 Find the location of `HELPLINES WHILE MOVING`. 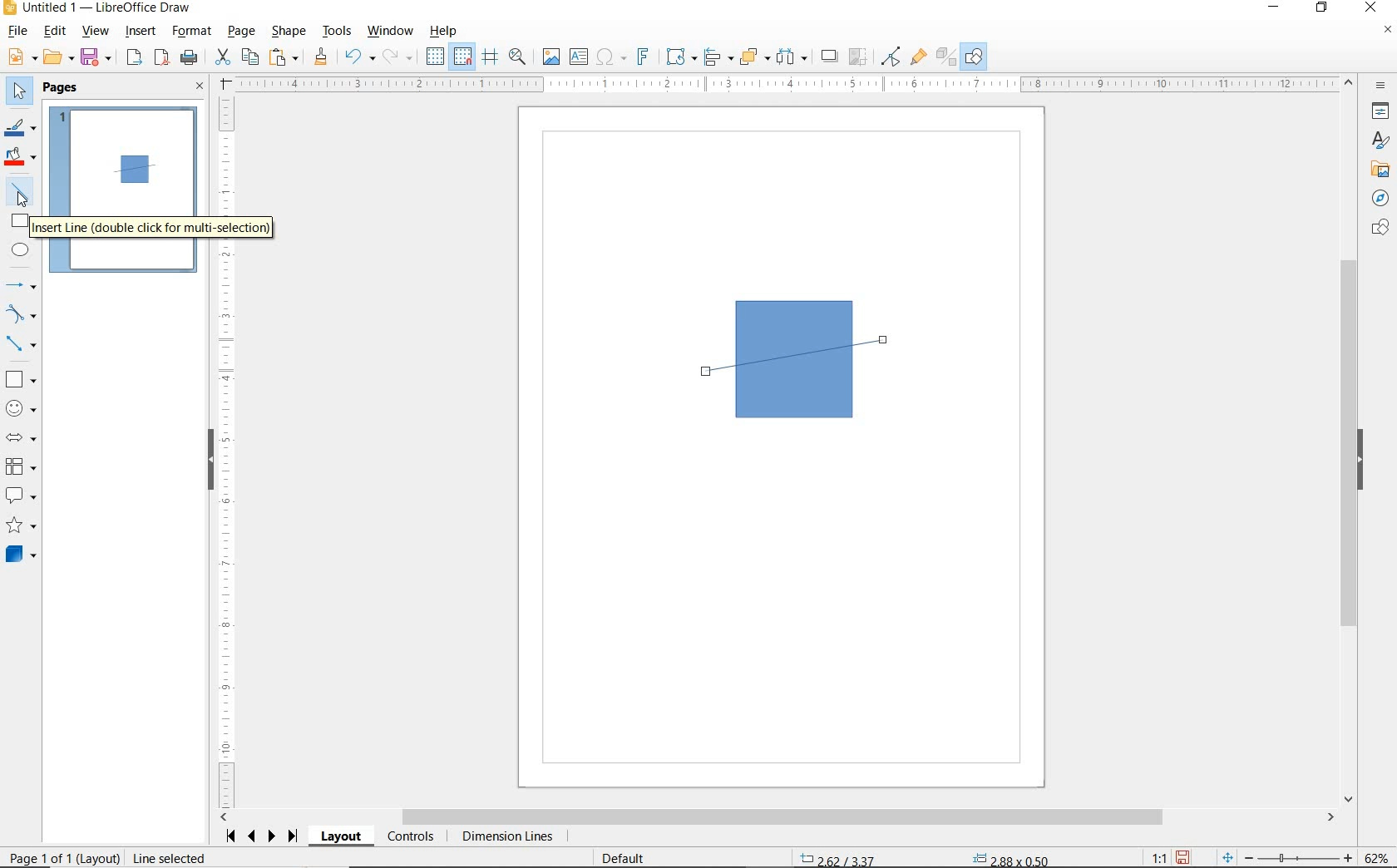

HELPLINES WHILE MOVING is located at coordinates (493, 59).